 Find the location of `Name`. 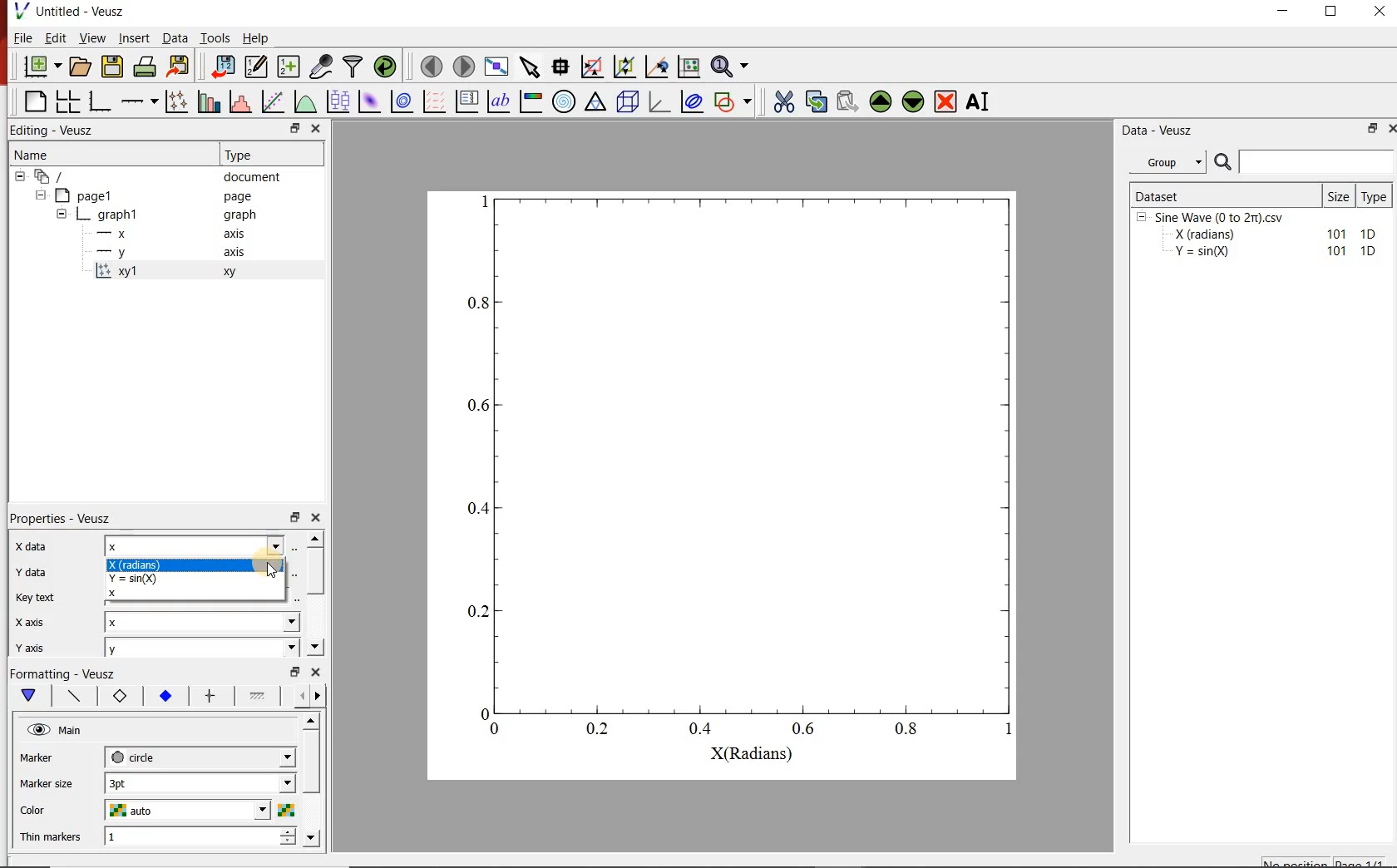

Name is located at coordinates (30, 153).